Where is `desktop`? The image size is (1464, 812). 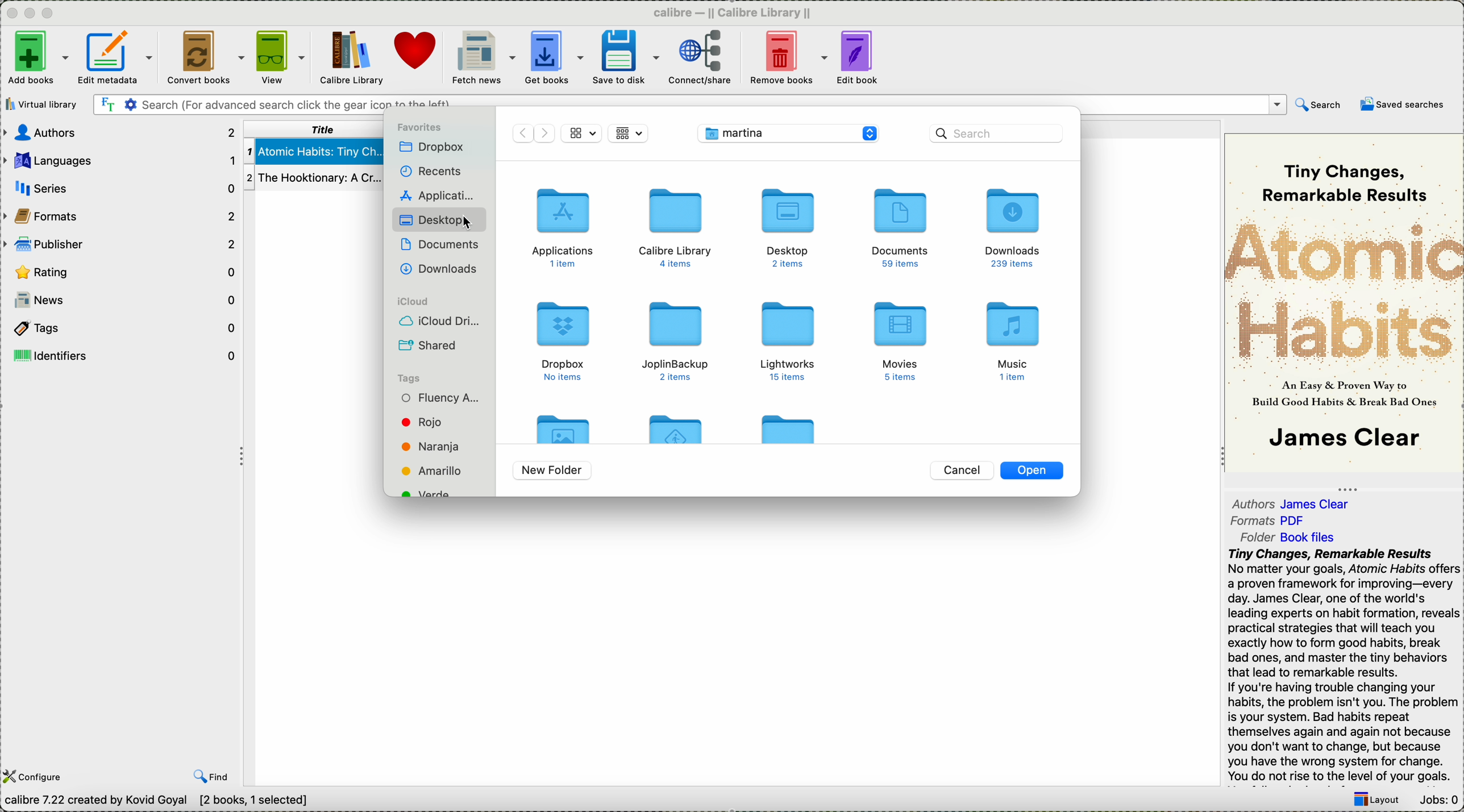 desktop is located at coordinates (785, 226).